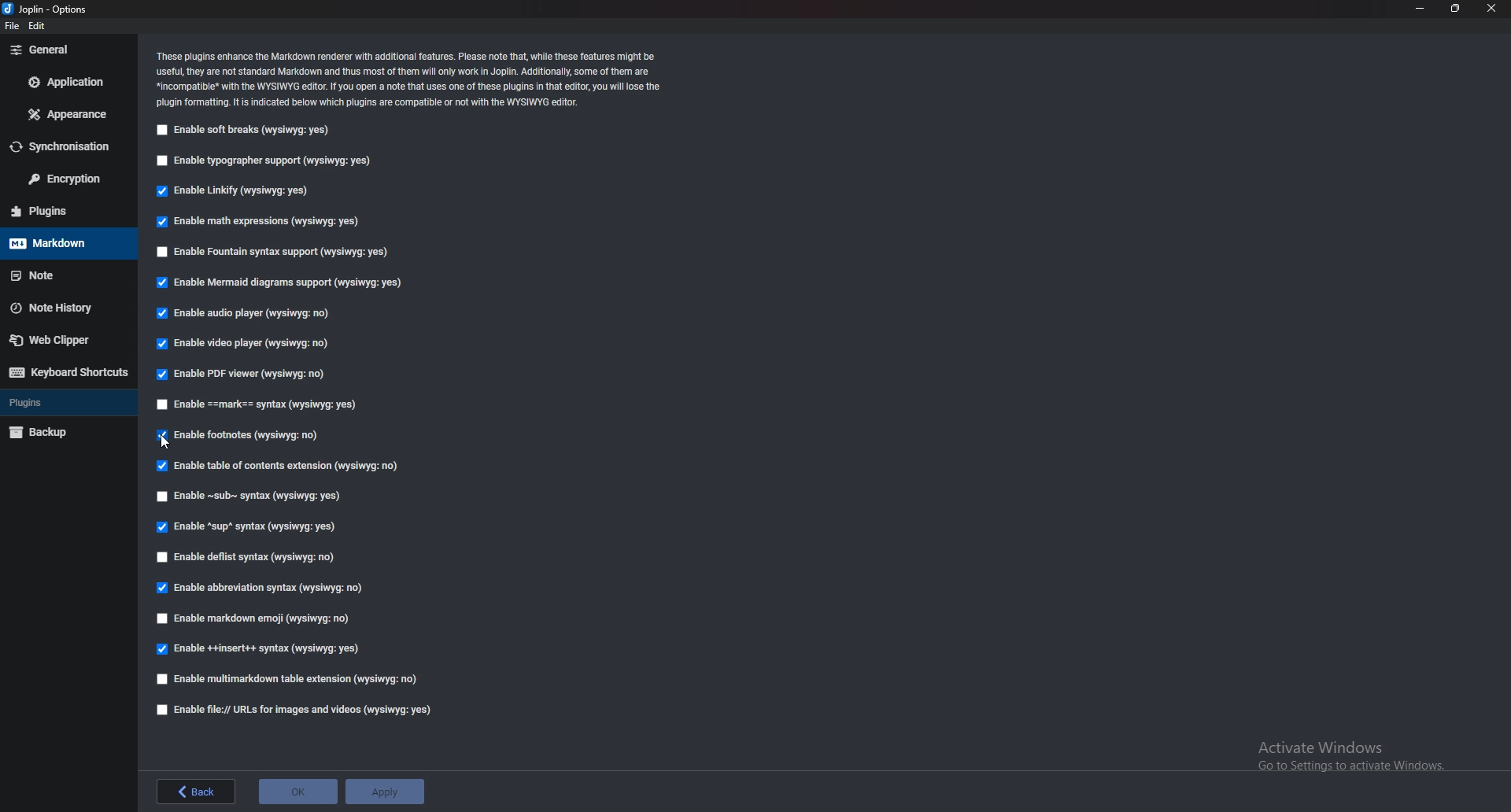  What do you see at coordinates (65, 50) in the screenshot?
I see `General` at bounding box center [65, 50].